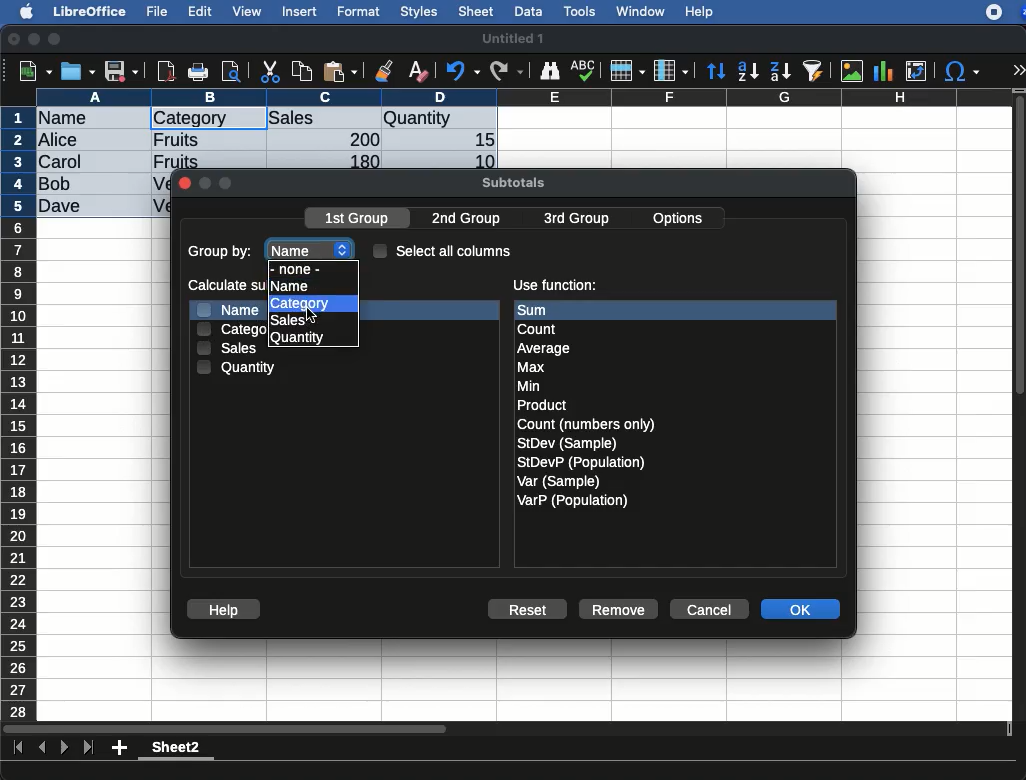  I want to click on calculate subtotals for, so click(222, 284).